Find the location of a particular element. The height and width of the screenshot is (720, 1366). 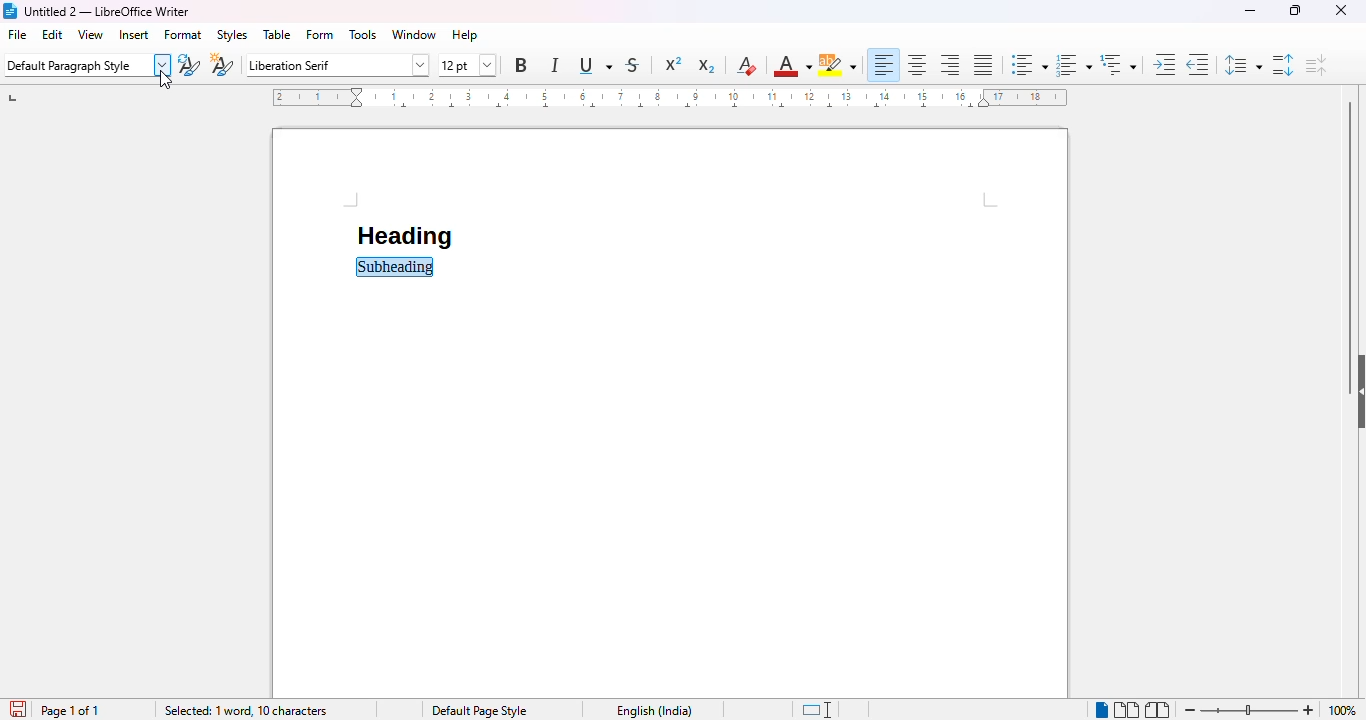

minimize is located at coordinates (1250, 11).